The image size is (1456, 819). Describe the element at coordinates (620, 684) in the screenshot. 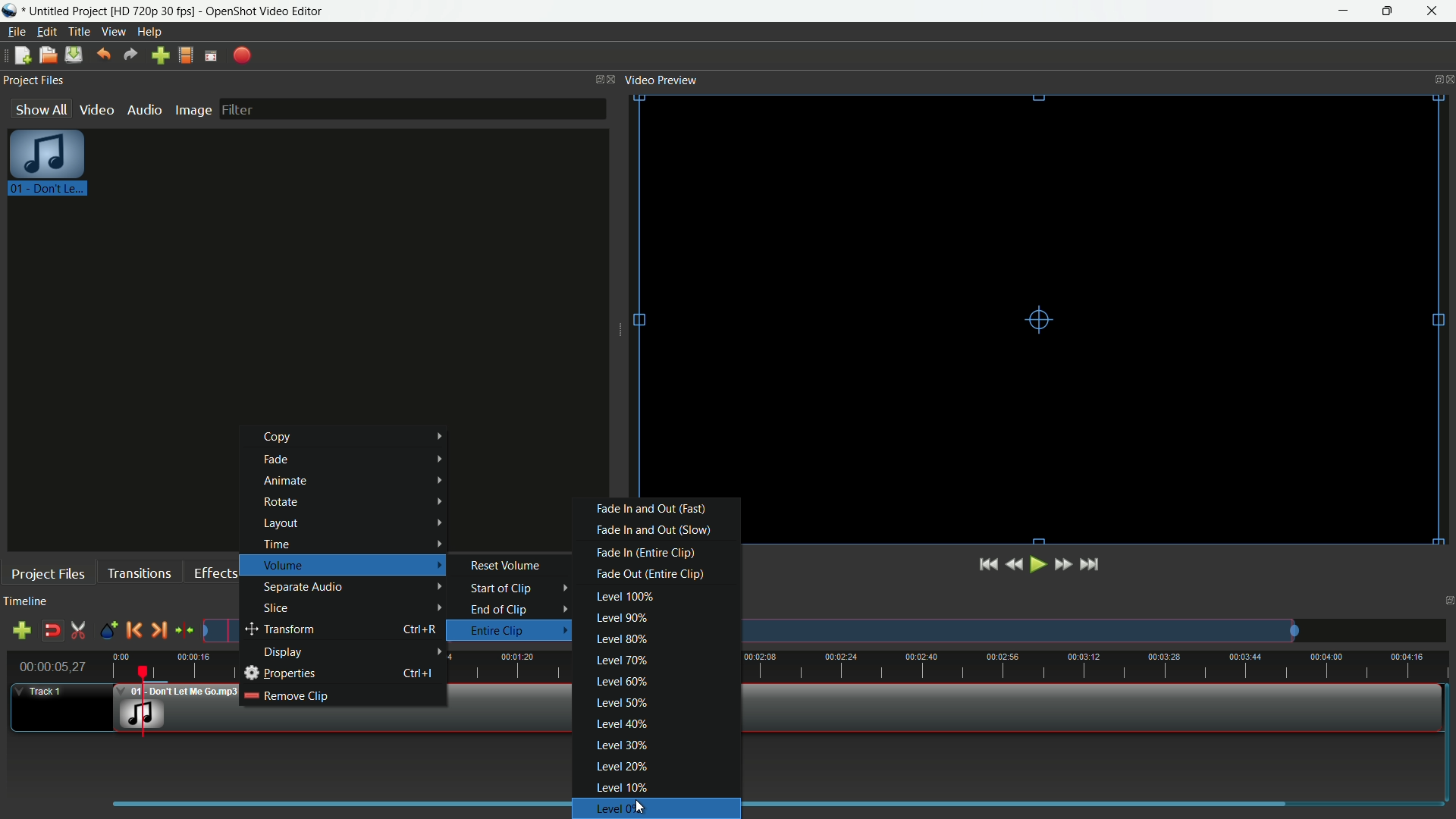

I see `level 60%` at that location.